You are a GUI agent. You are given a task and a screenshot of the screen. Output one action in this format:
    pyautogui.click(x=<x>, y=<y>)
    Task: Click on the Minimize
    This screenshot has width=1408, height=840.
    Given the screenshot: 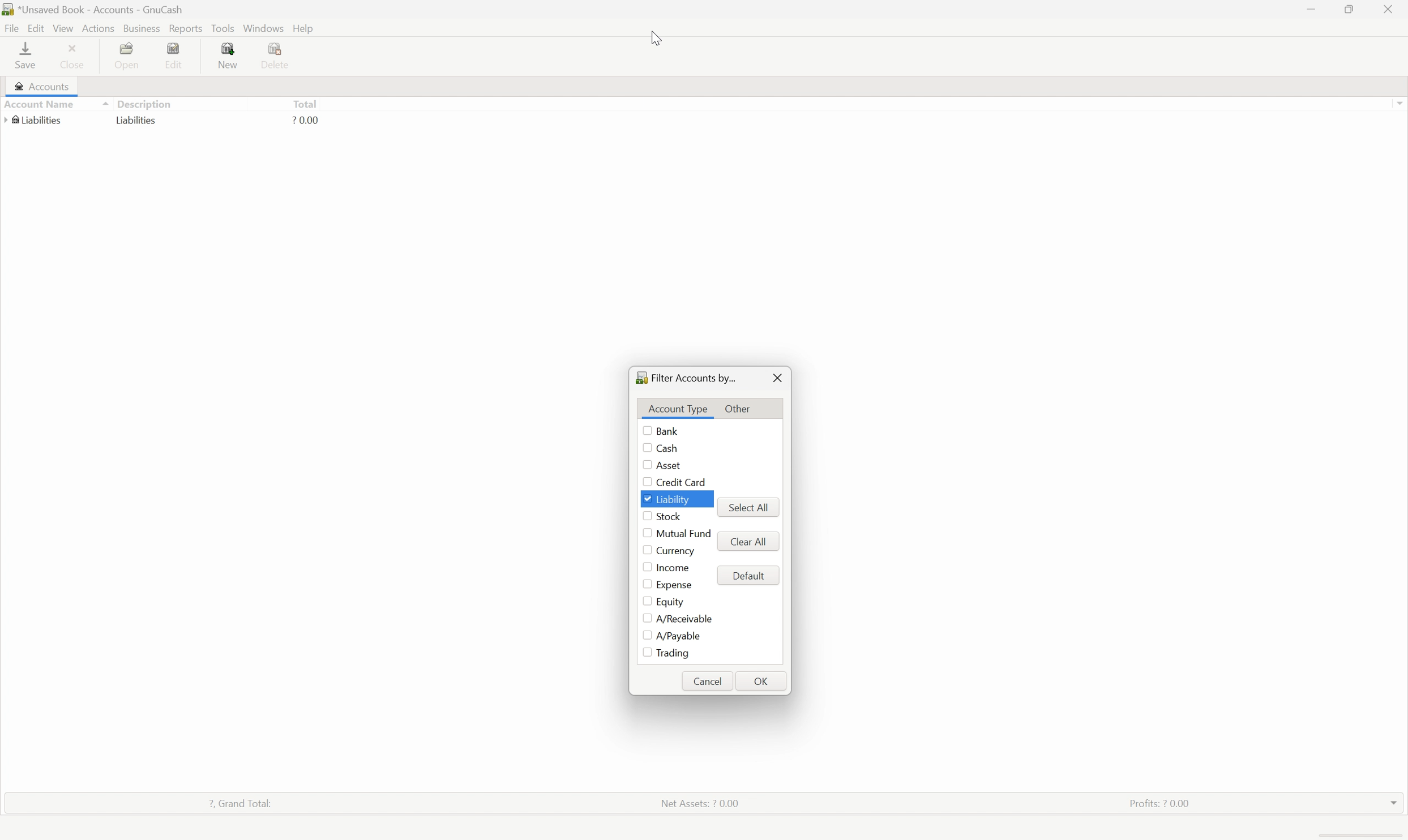 What is the action you would take?
    pyautogui.click(x=1311, y=10)
    